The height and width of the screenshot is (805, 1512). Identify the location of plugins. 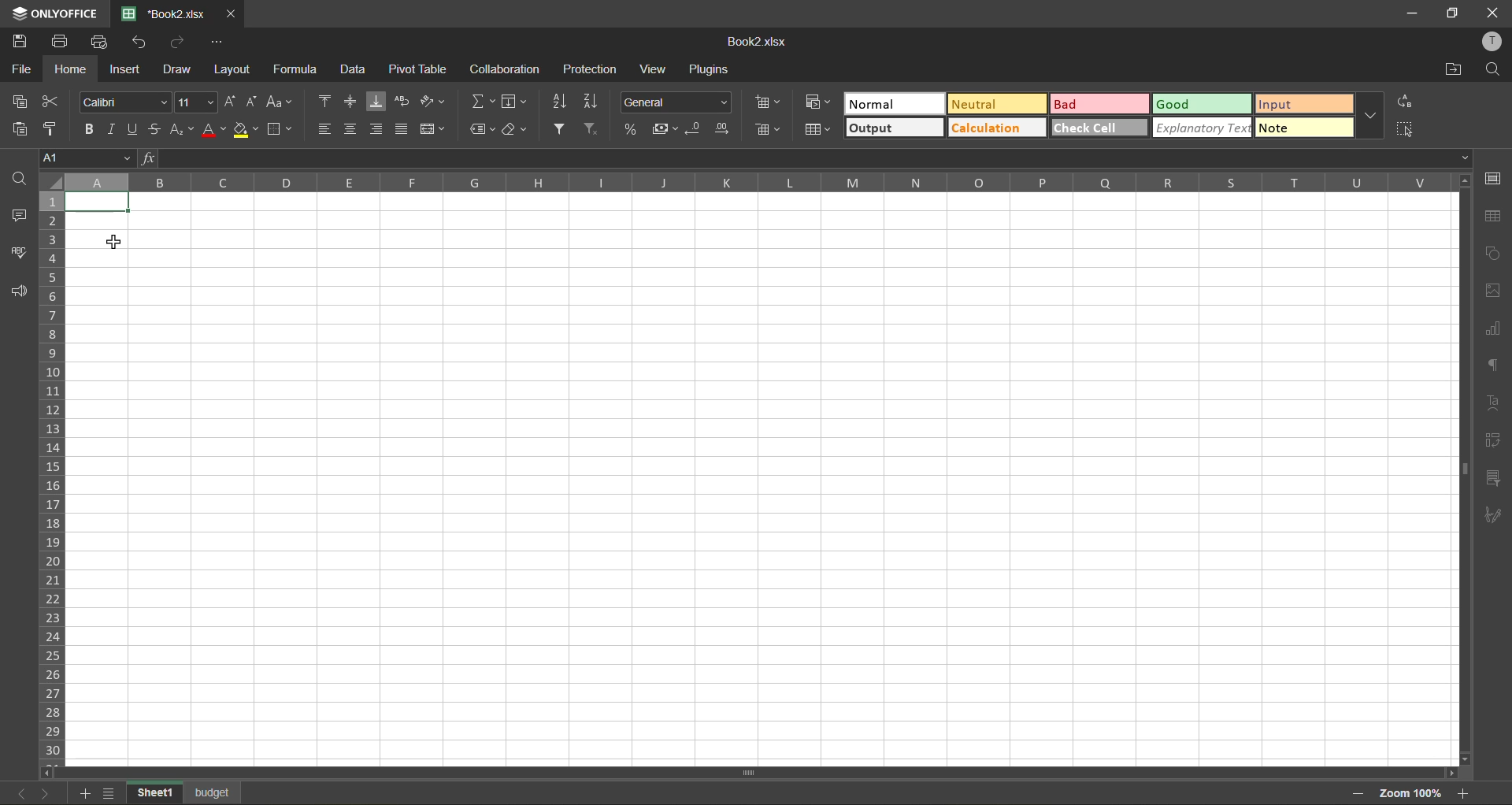
(710, 72).